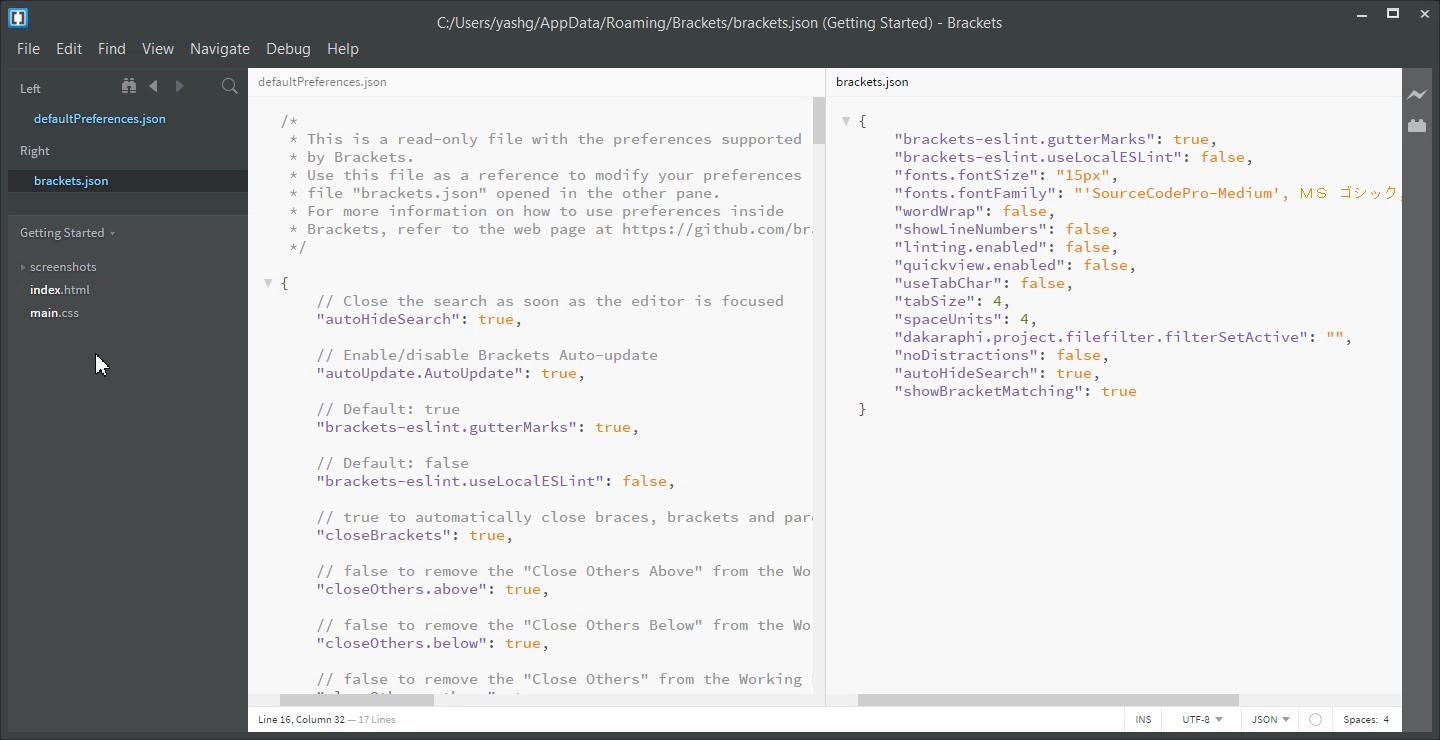 The image size is (1440, 740). What do you see at coordinates (221, 49) in the screenshot?
I see `Navigate` at bounding box center [221, 49].